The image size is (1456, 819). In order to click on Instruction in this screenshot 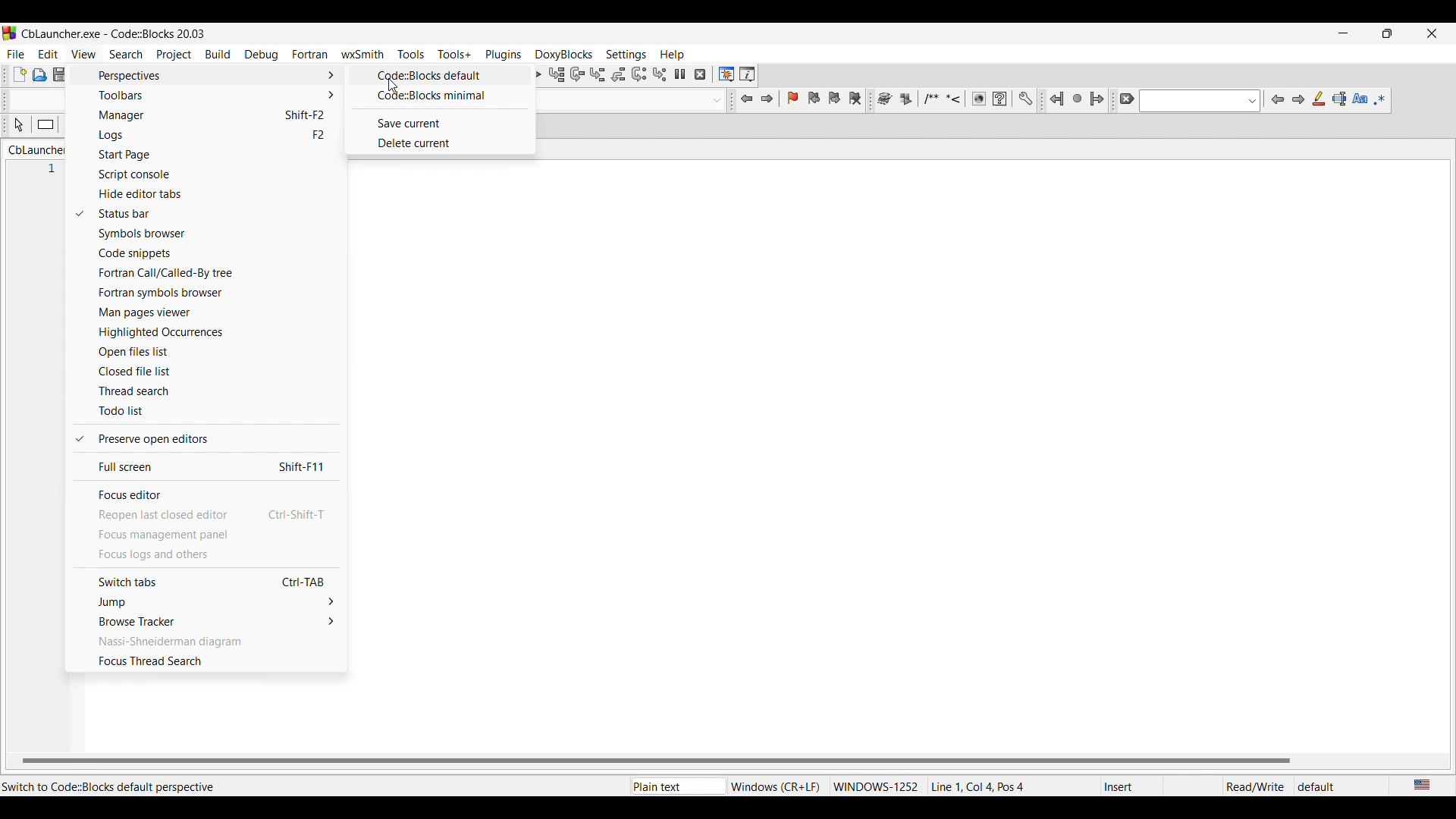, I will do `click(45, 124)`.